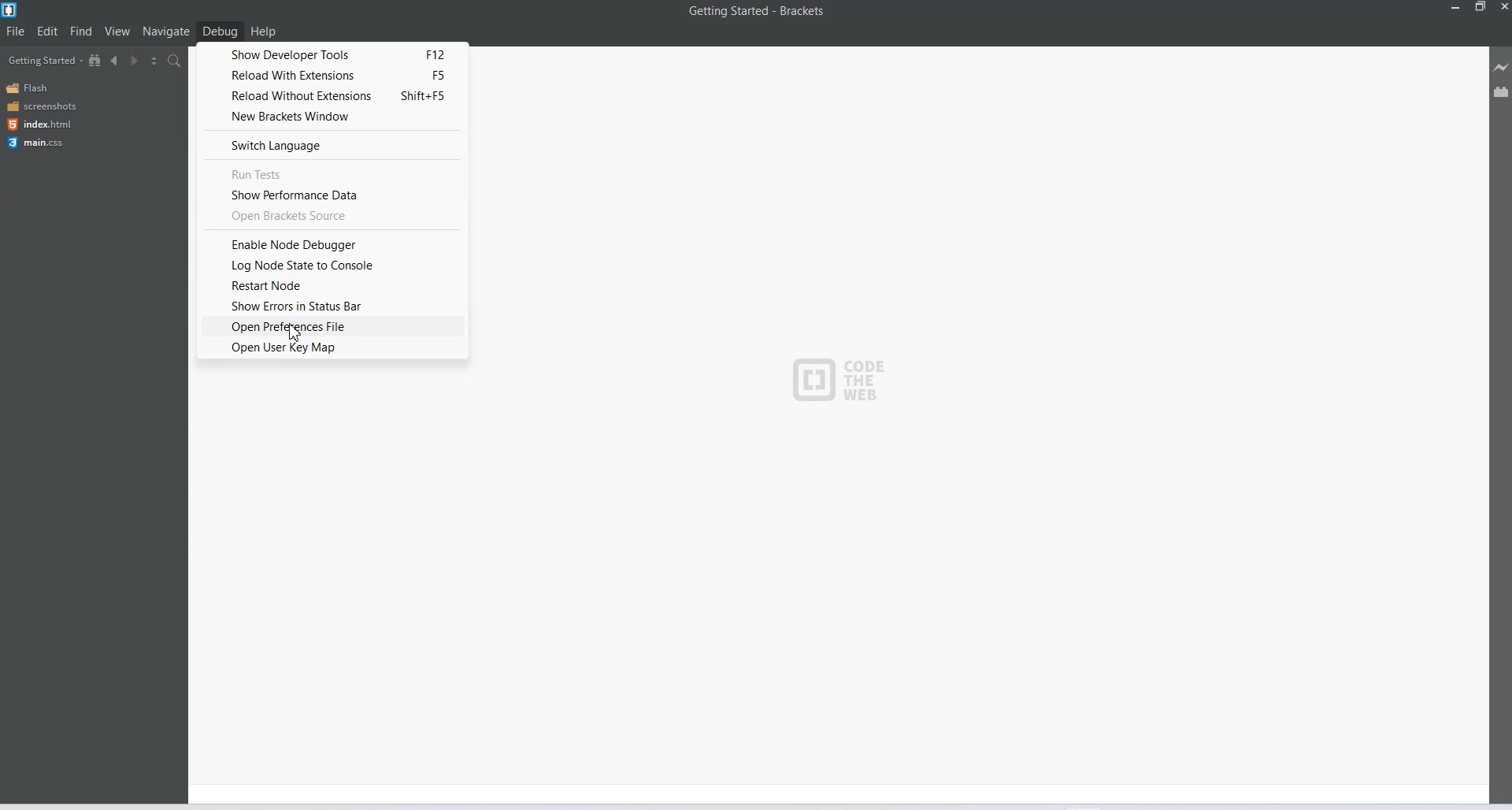  I want to click on Find in Files, so click(176, 61).